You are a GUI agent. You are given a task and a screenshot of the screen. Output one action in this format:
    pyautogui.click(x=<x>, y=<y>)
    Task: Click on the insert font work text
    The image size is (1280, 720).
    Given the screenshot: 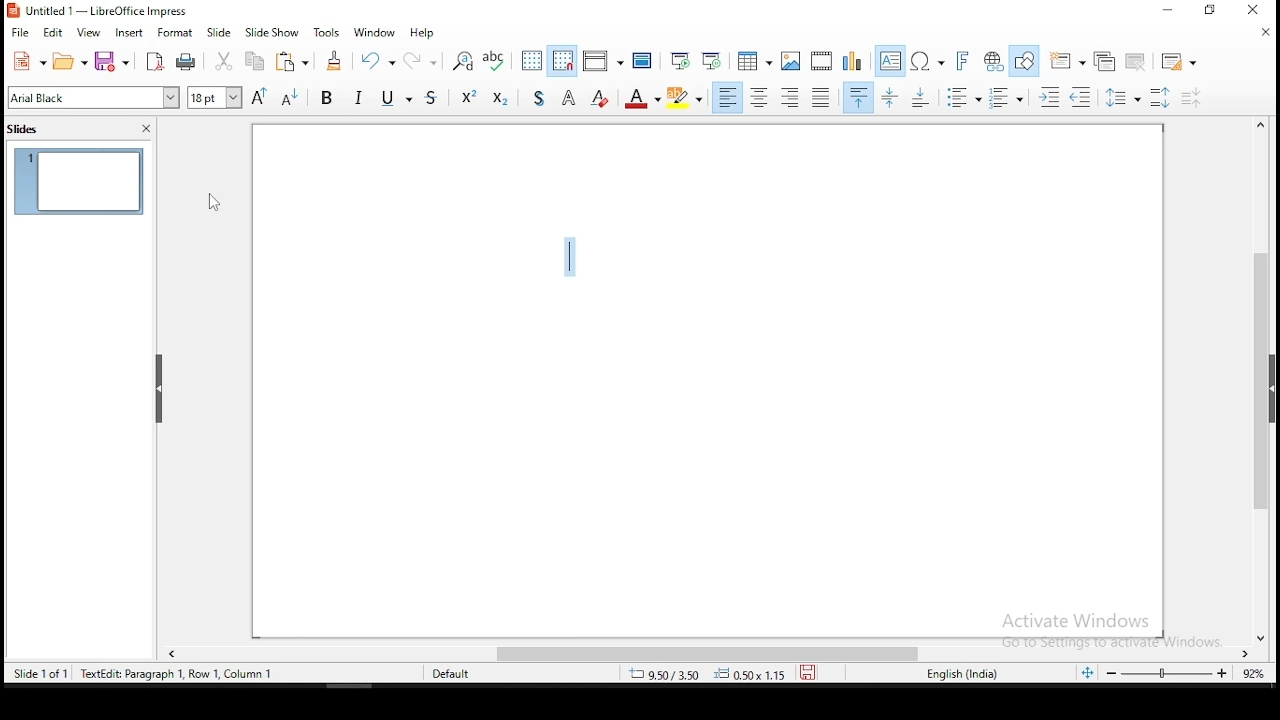 What is the action you would take?
    pyautogui.click(x=963, y=61)
    